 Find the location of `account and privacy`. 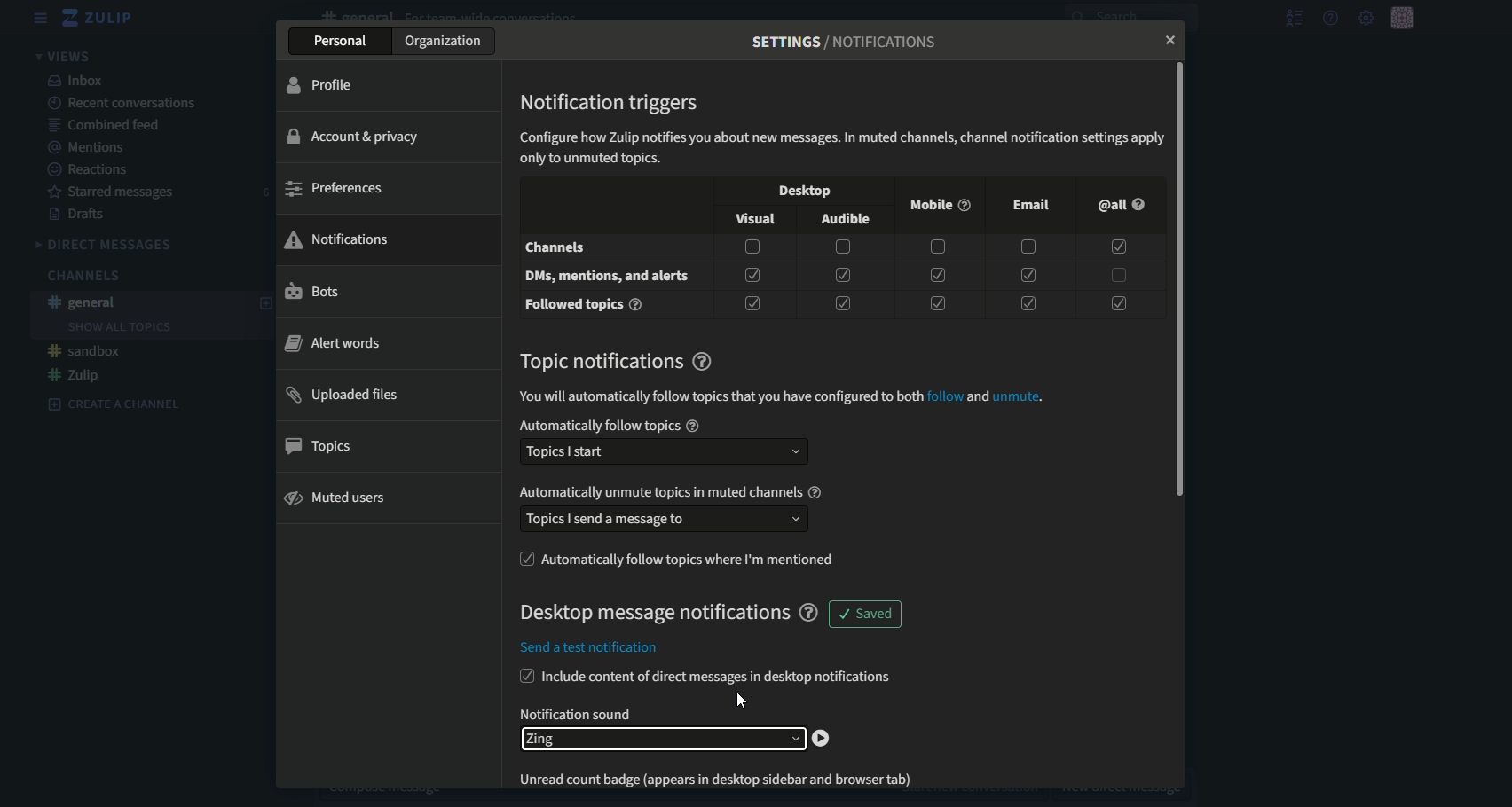

account and privacy is located at coordinates (359, 136).